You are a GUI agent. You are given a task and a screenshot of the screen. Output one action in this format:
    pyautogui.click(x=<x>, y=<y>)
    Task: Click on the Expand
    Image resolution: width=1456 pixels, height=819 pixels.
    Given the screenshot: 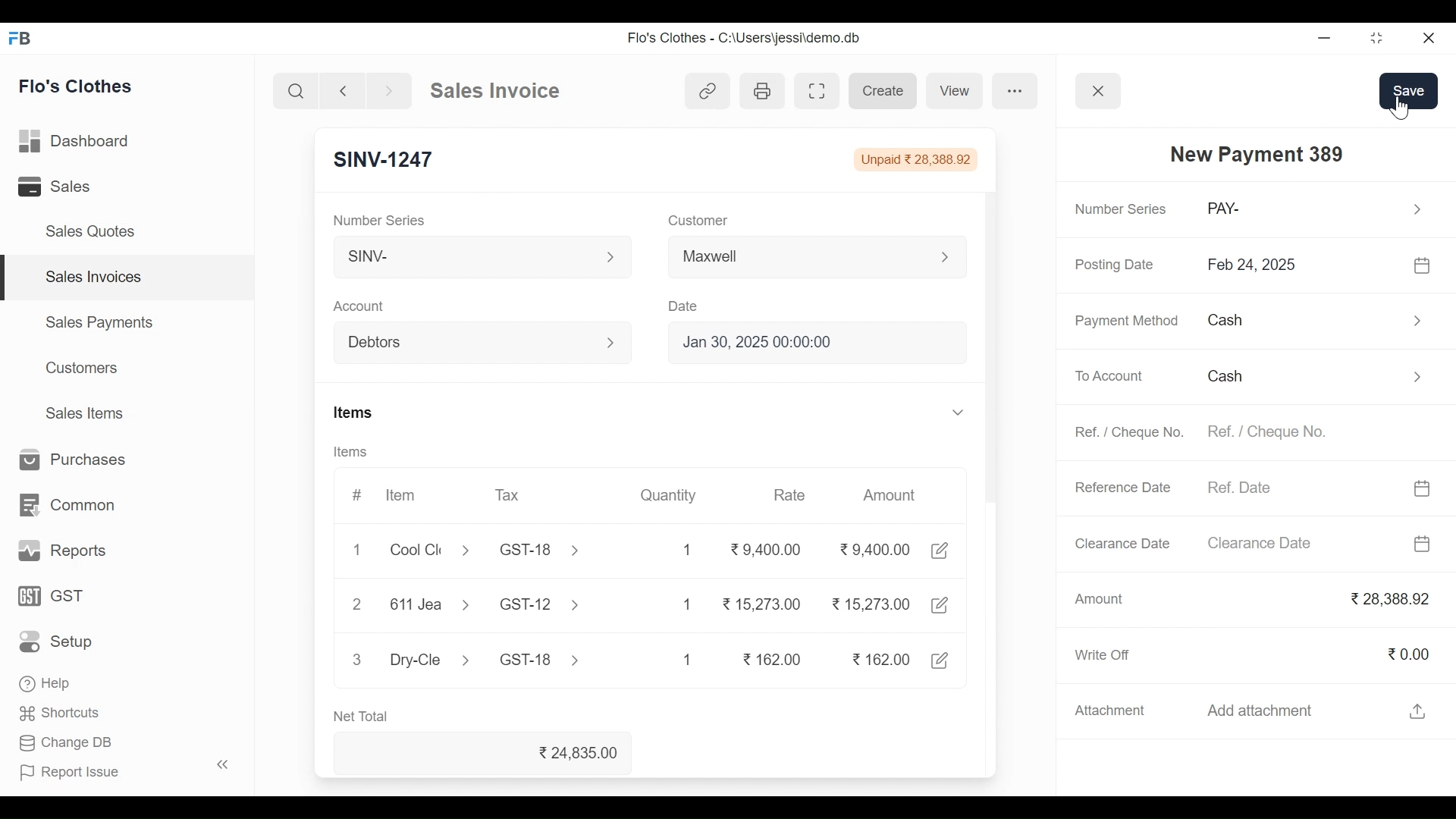 What is the action you would take?
    pyautogui.click(x=611, y=342)
    